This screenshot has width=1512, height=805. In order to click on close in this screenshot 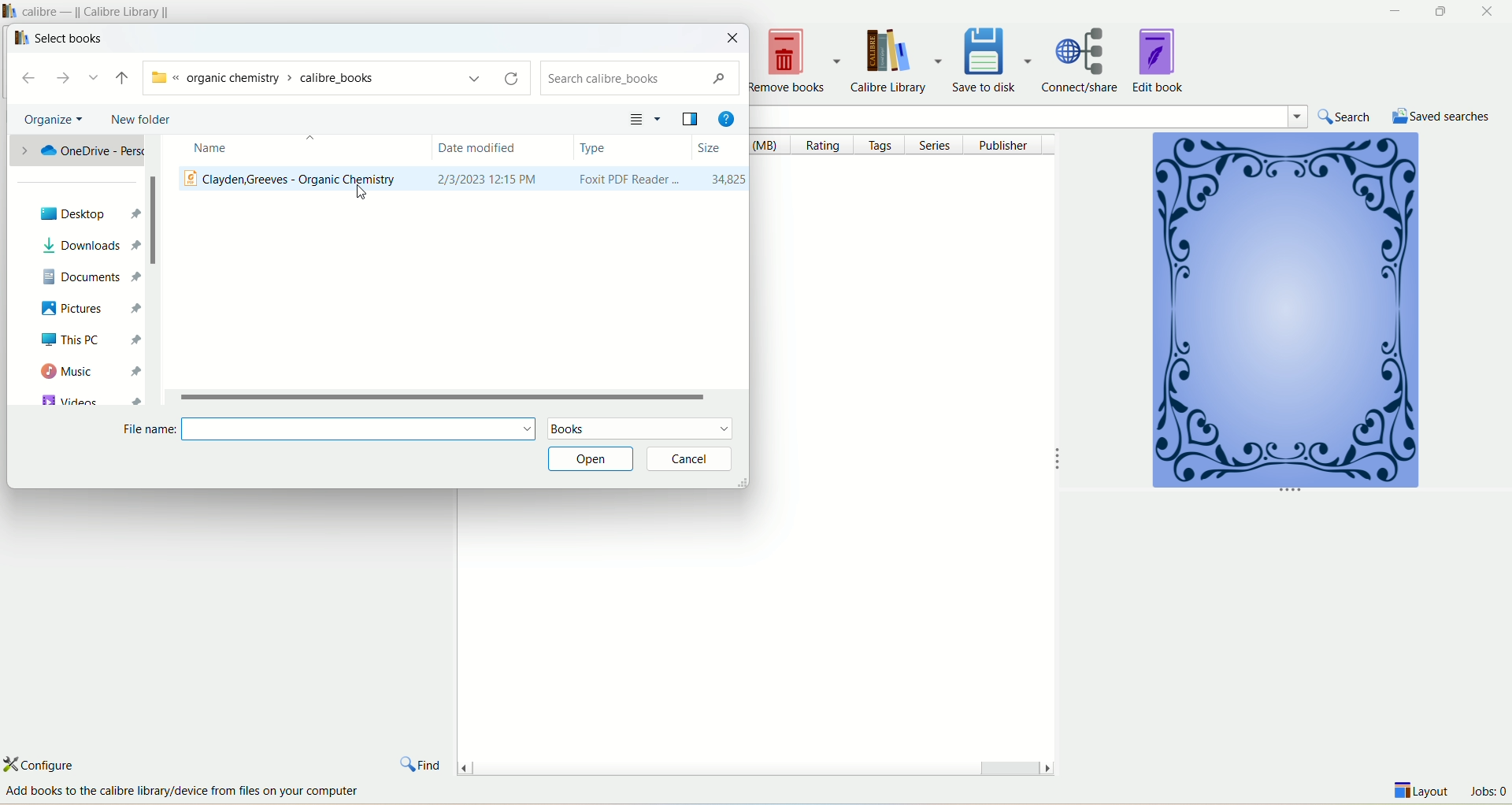, I will do `click(1489, 12)`.